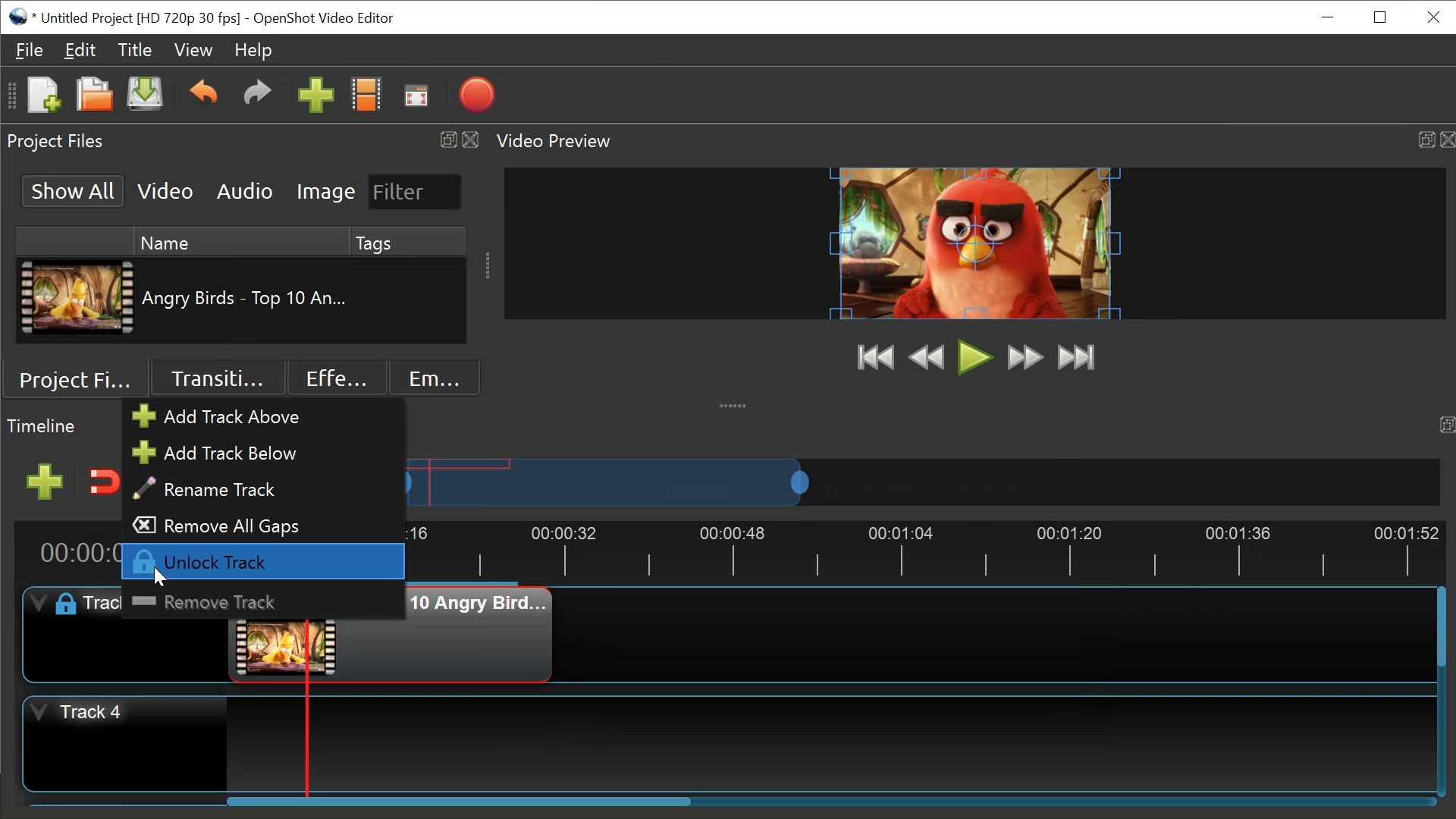 This screenshot has width=1456, height=819. What do you see at coordinates (19, 17) in the screenshot?
I see `Openshot Desktop icon` at bounding box center [19, 17].